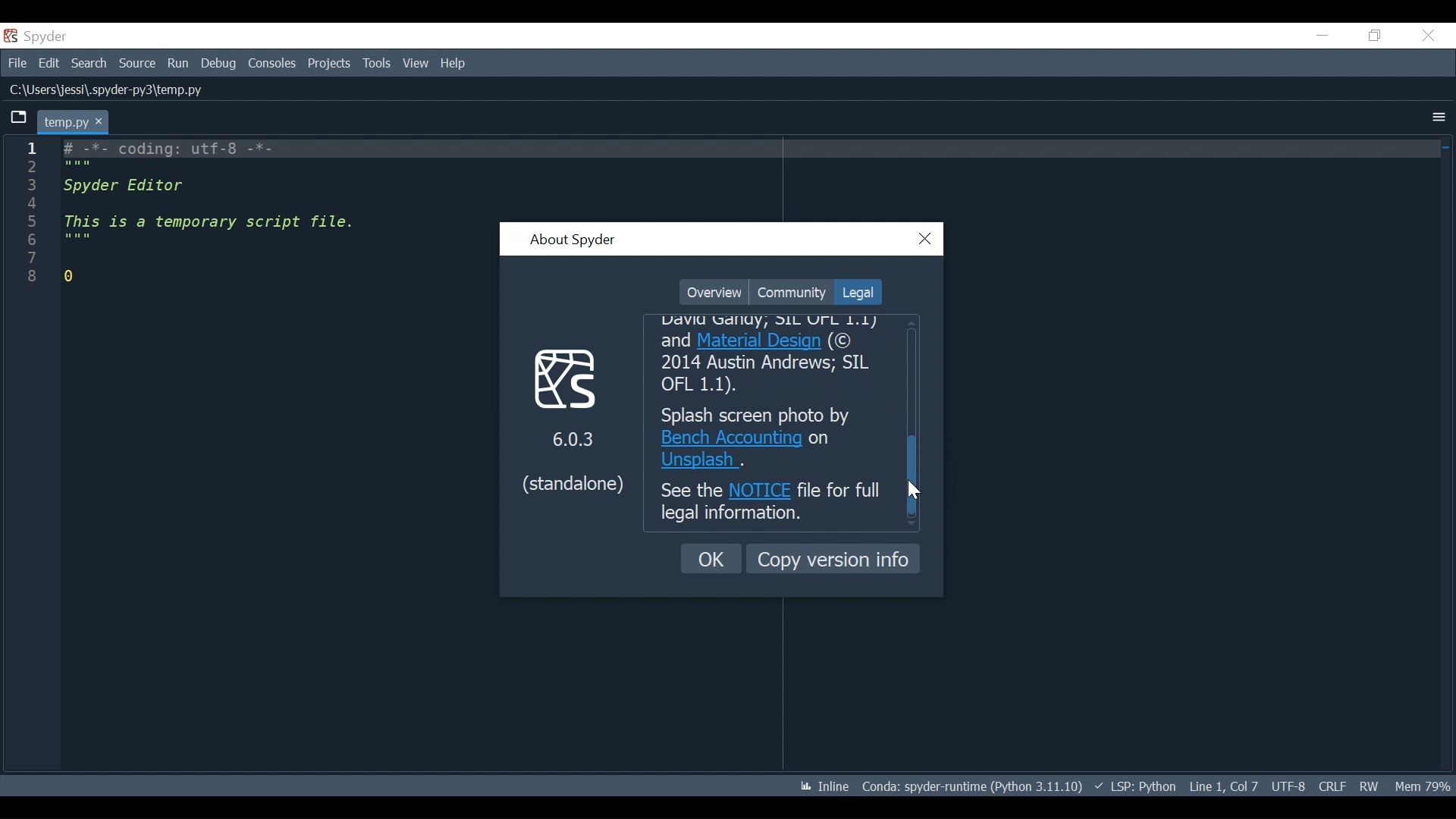  Describe the element at coordinates (1428, 36) in the screenshot. I see `Close` at that location.